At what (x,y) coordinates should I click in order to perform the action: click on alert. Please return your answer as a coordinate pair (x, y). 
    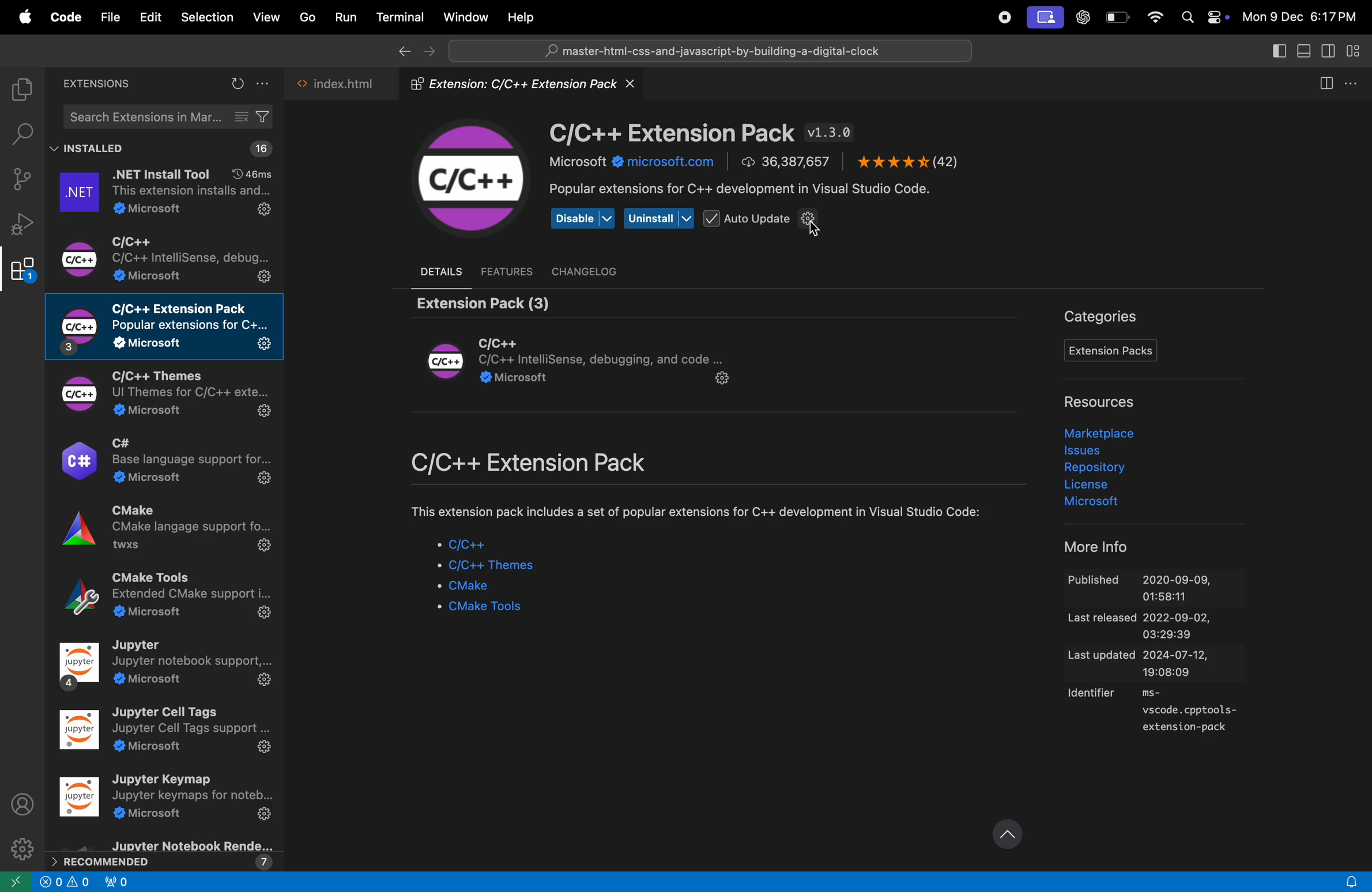
    Looking at the image, I should click on (1351, 876).